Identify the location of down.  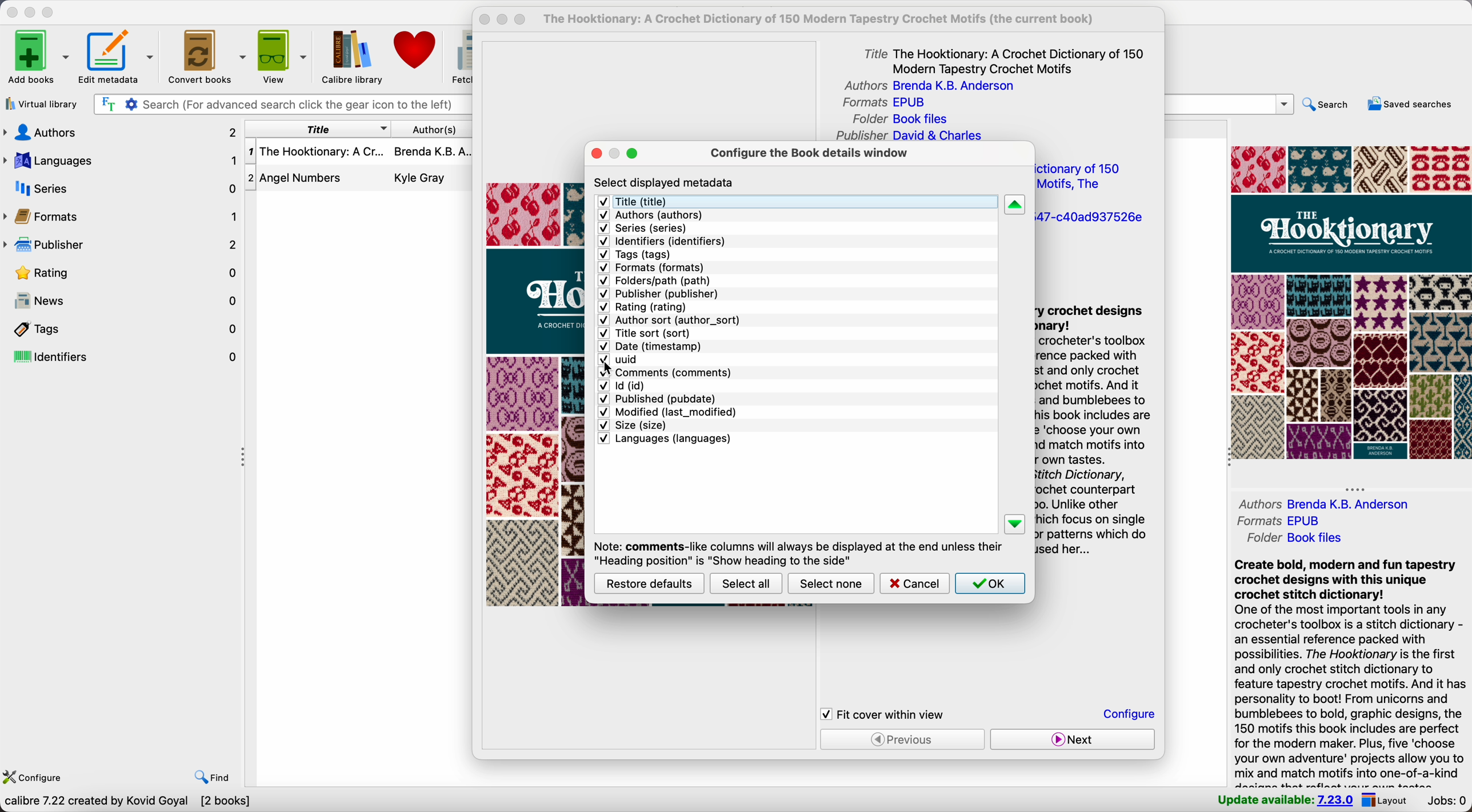
(1017, 525).